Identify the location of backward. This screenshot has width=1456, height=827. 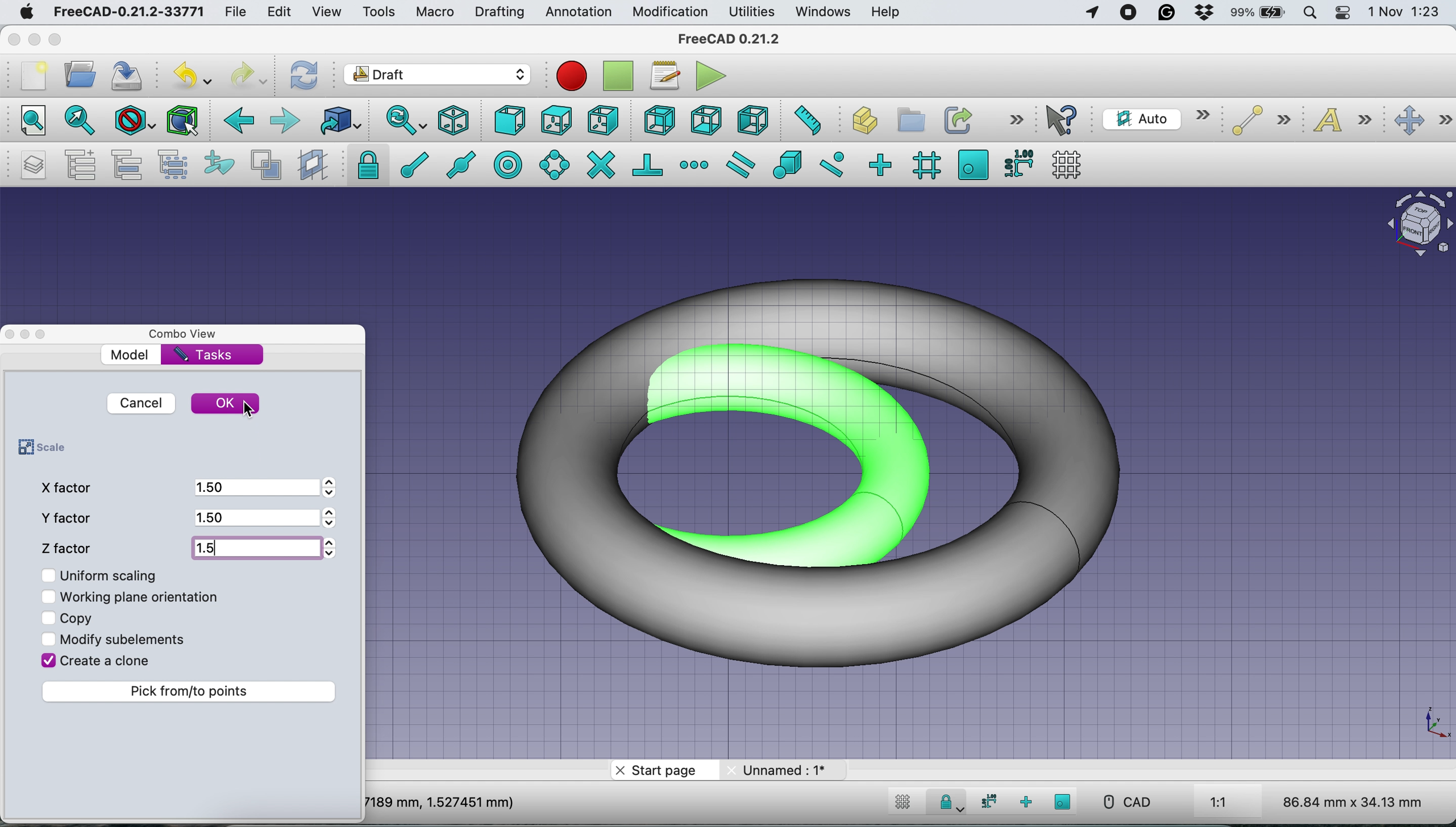
(238, 124).